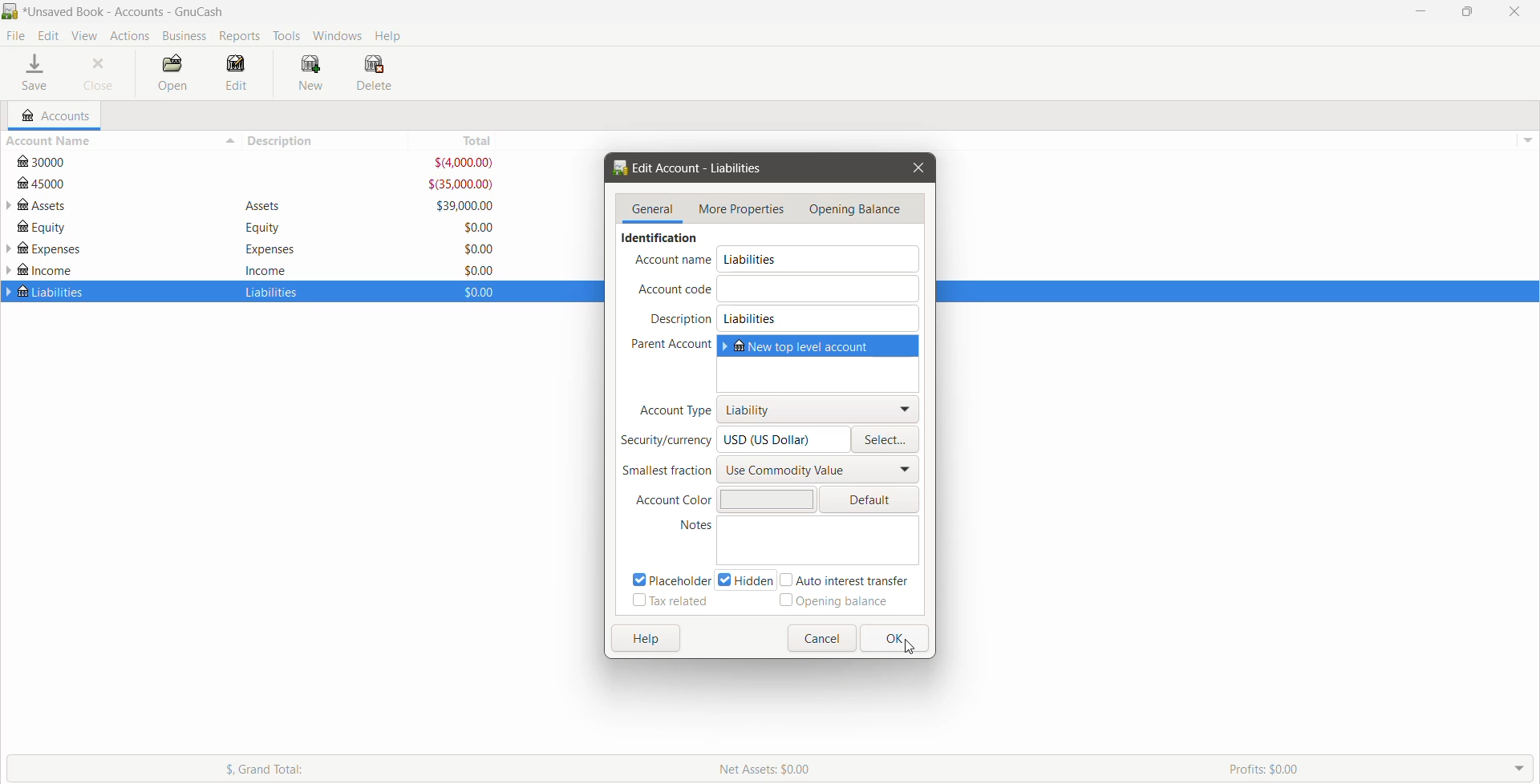 The height and width of the screenshot is (784, 1540). I want to click on Reports, so click(241, 36).